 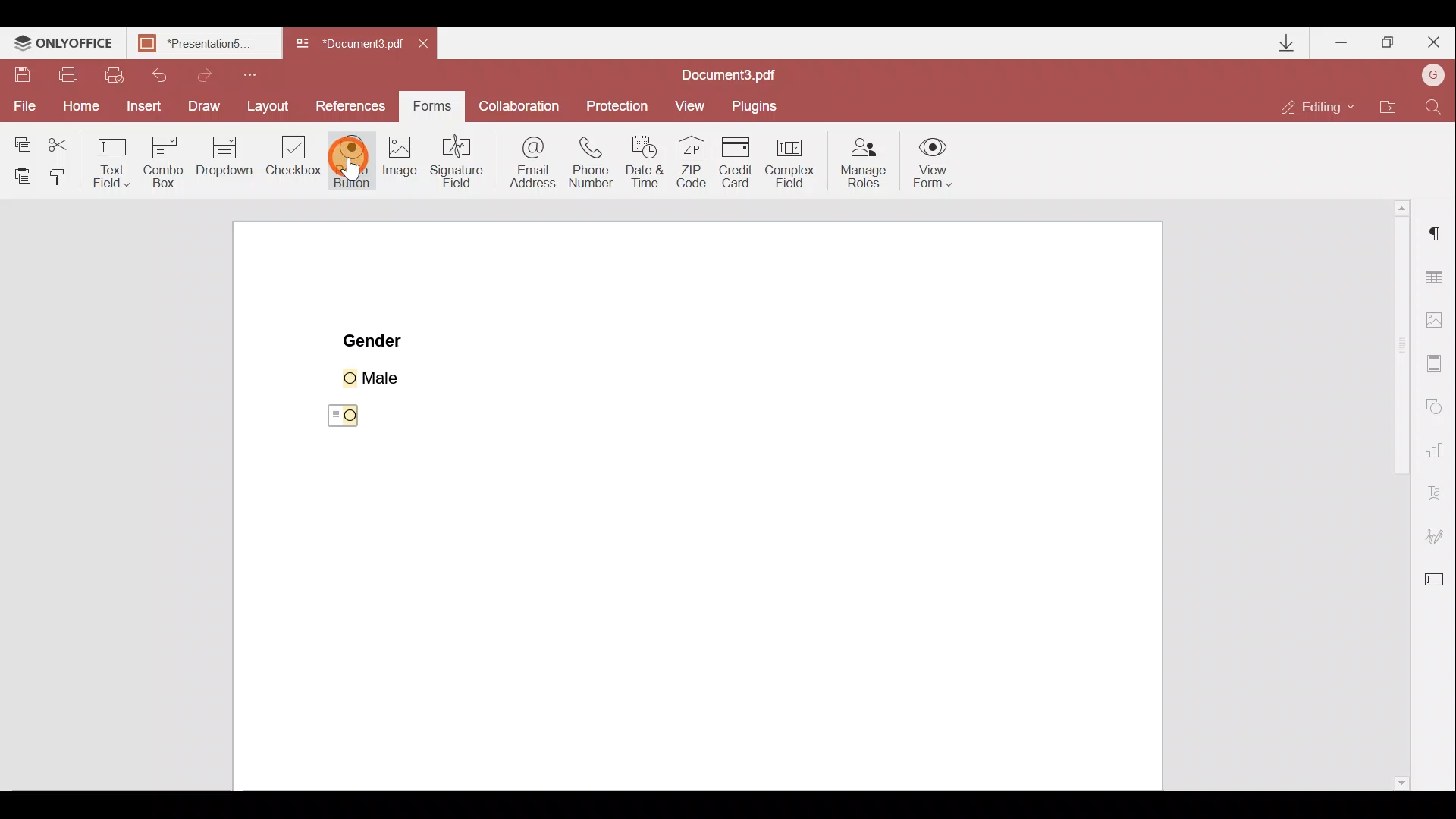 What do you see at coordinates (436, 106) in the screenshot?
I see `Forms` at bounding box center [436, 106].